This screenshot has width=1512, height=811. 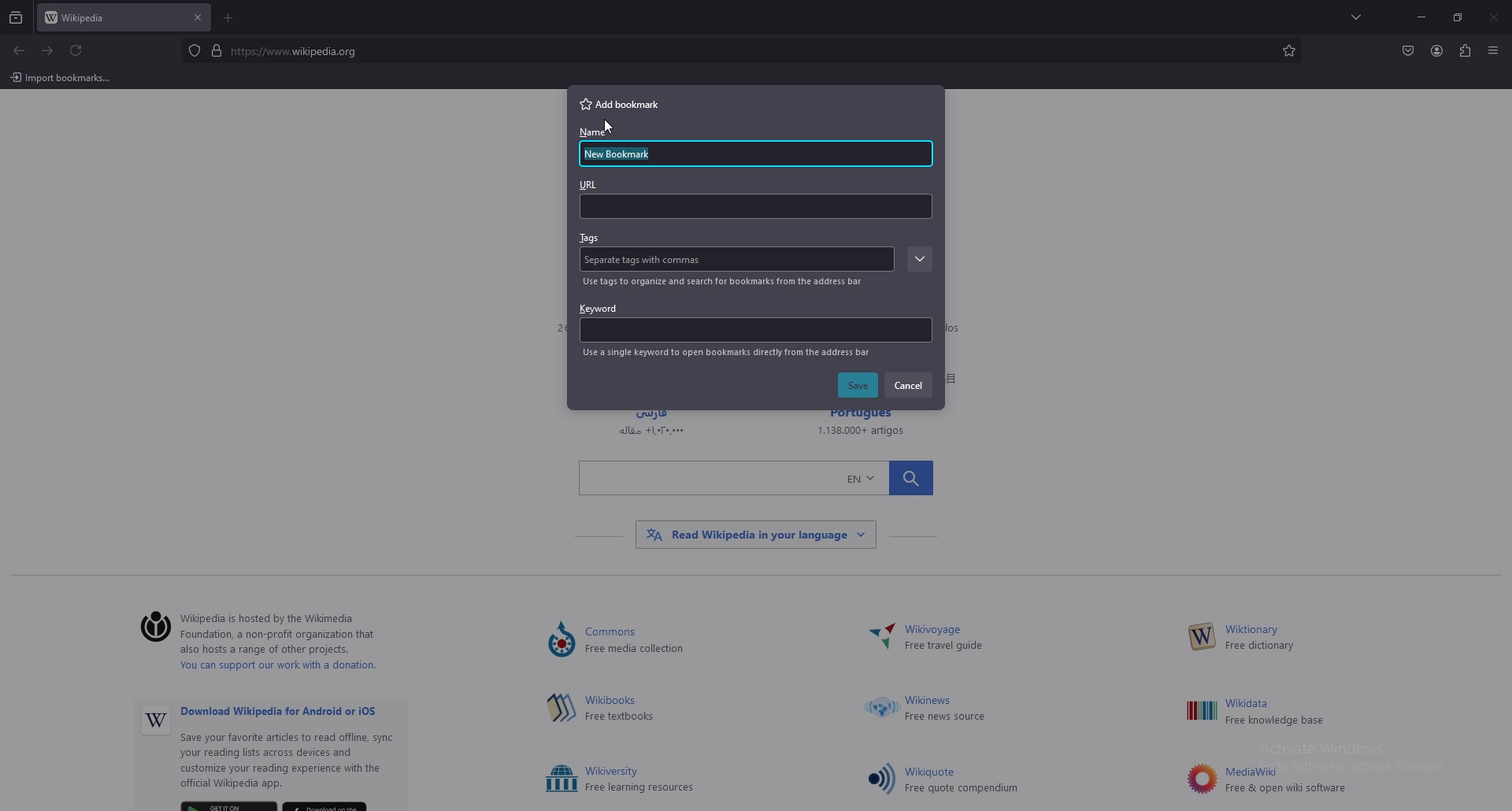 I want to click on info, so click(x=727, y=353).